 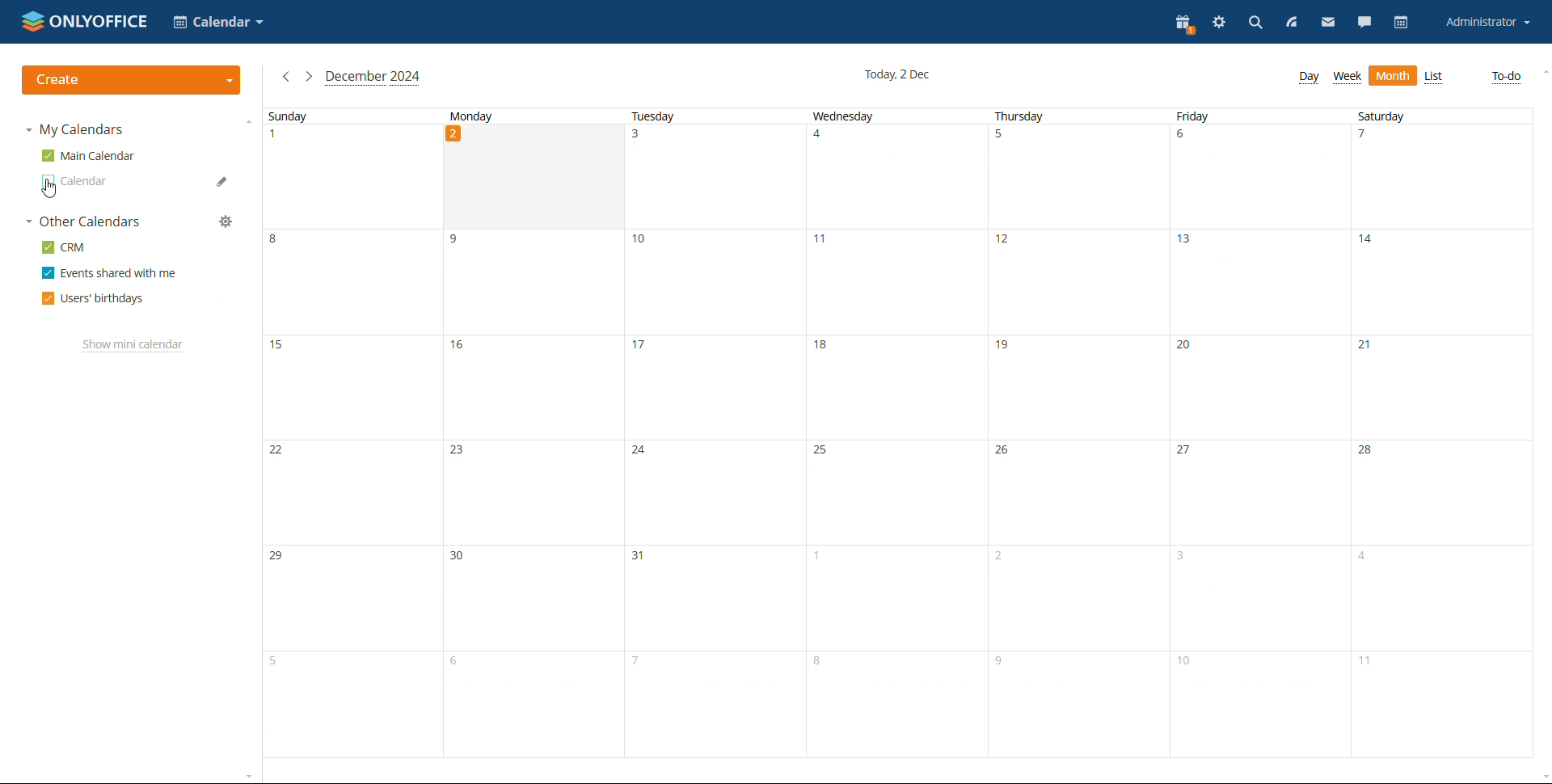 I want to click on cursor, so click(x=55, y=192).